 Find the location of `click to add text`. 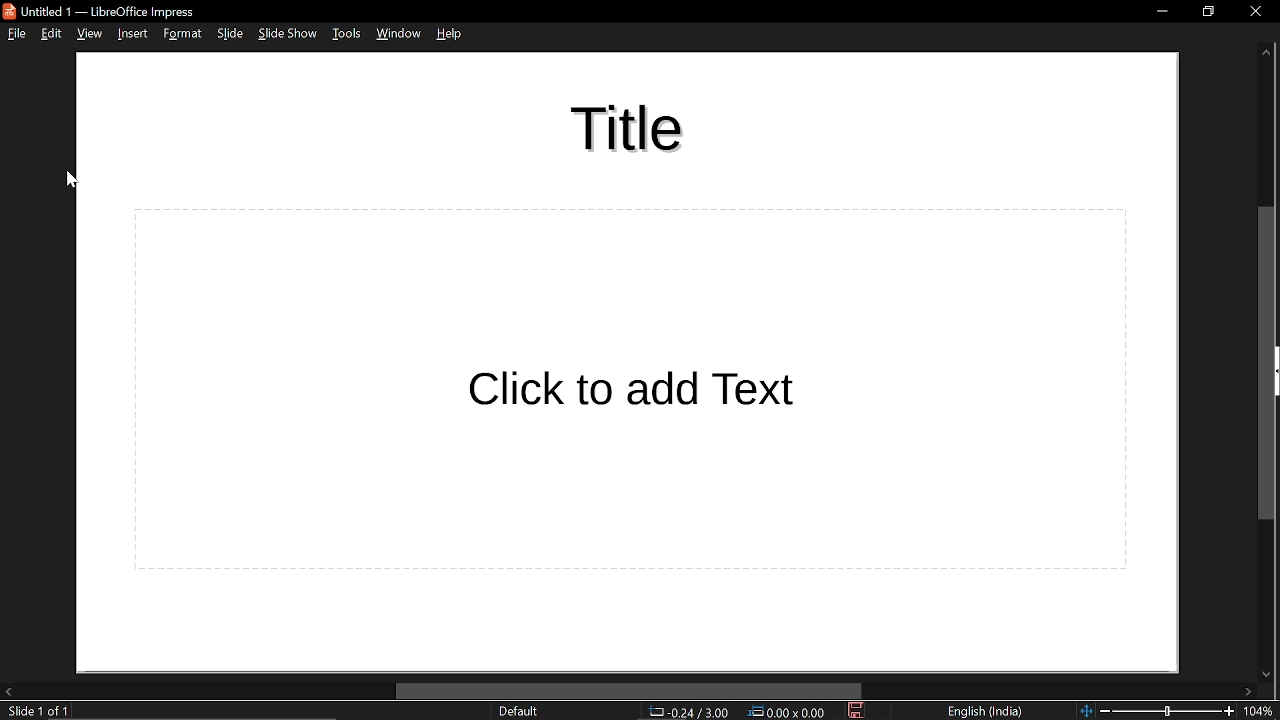

click to add text is located at coordinates (630, 389).